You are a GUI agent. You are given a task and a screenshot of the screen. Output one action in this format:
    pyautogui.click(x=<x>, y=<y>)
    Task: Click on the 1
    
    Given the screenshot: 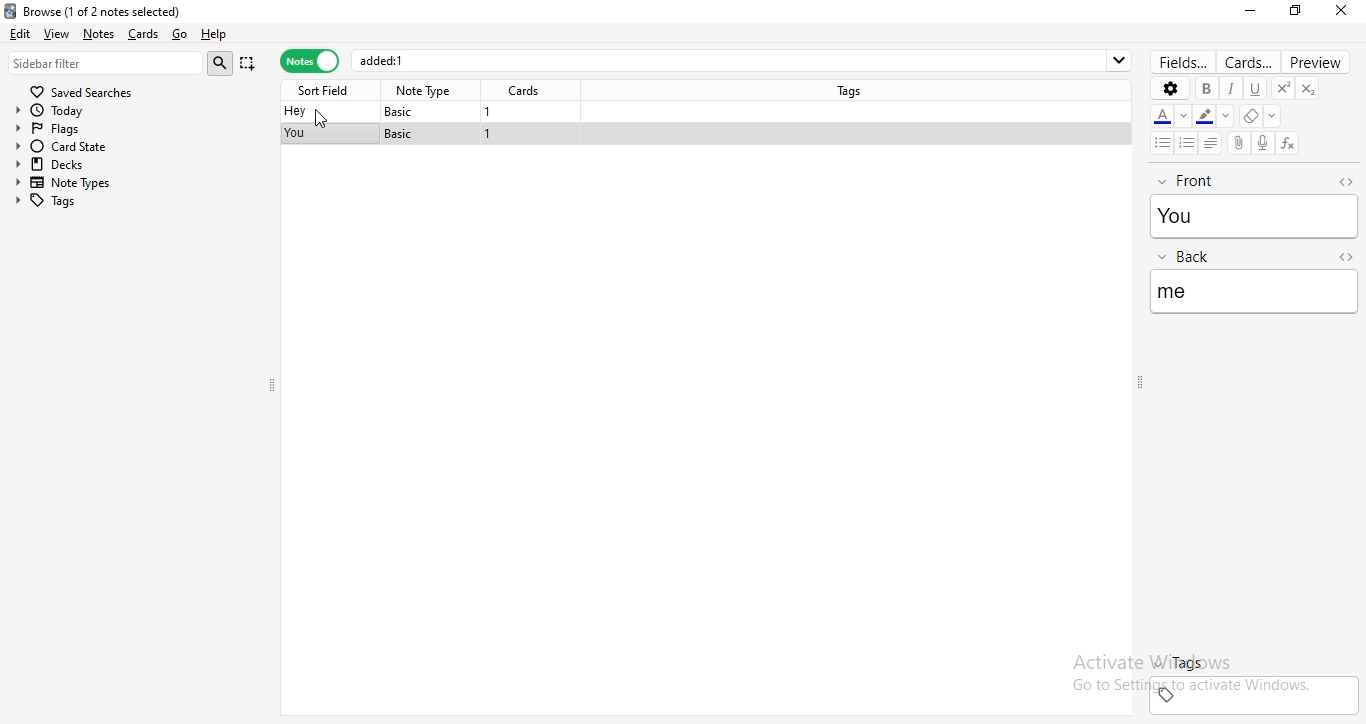 What is the action you would take?
    pyautogui.click(x=488, y=112)
    